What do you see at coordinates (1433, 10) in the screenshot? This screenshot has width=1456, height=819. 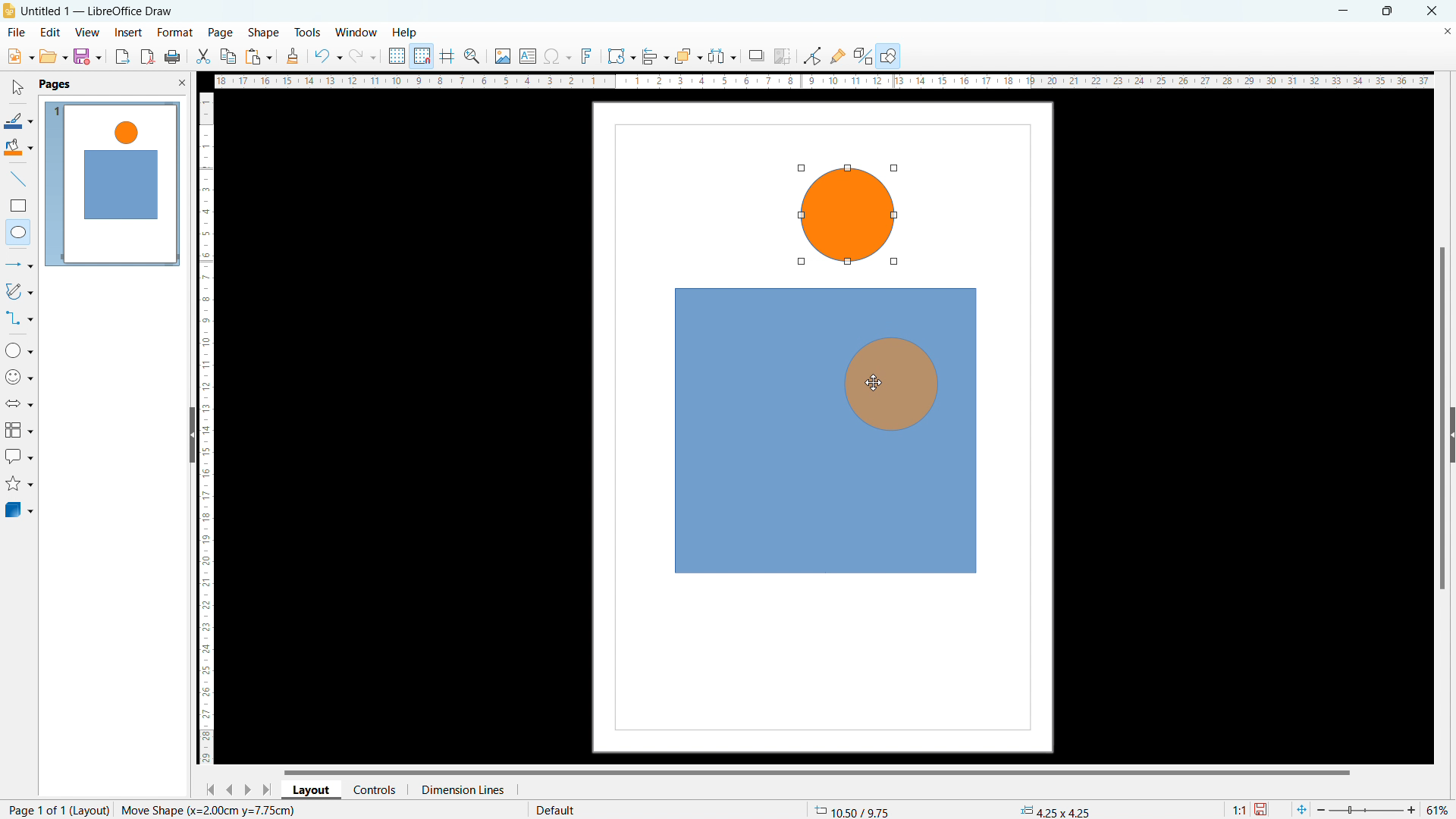 I see `close` at bounding box center [1433, 10].